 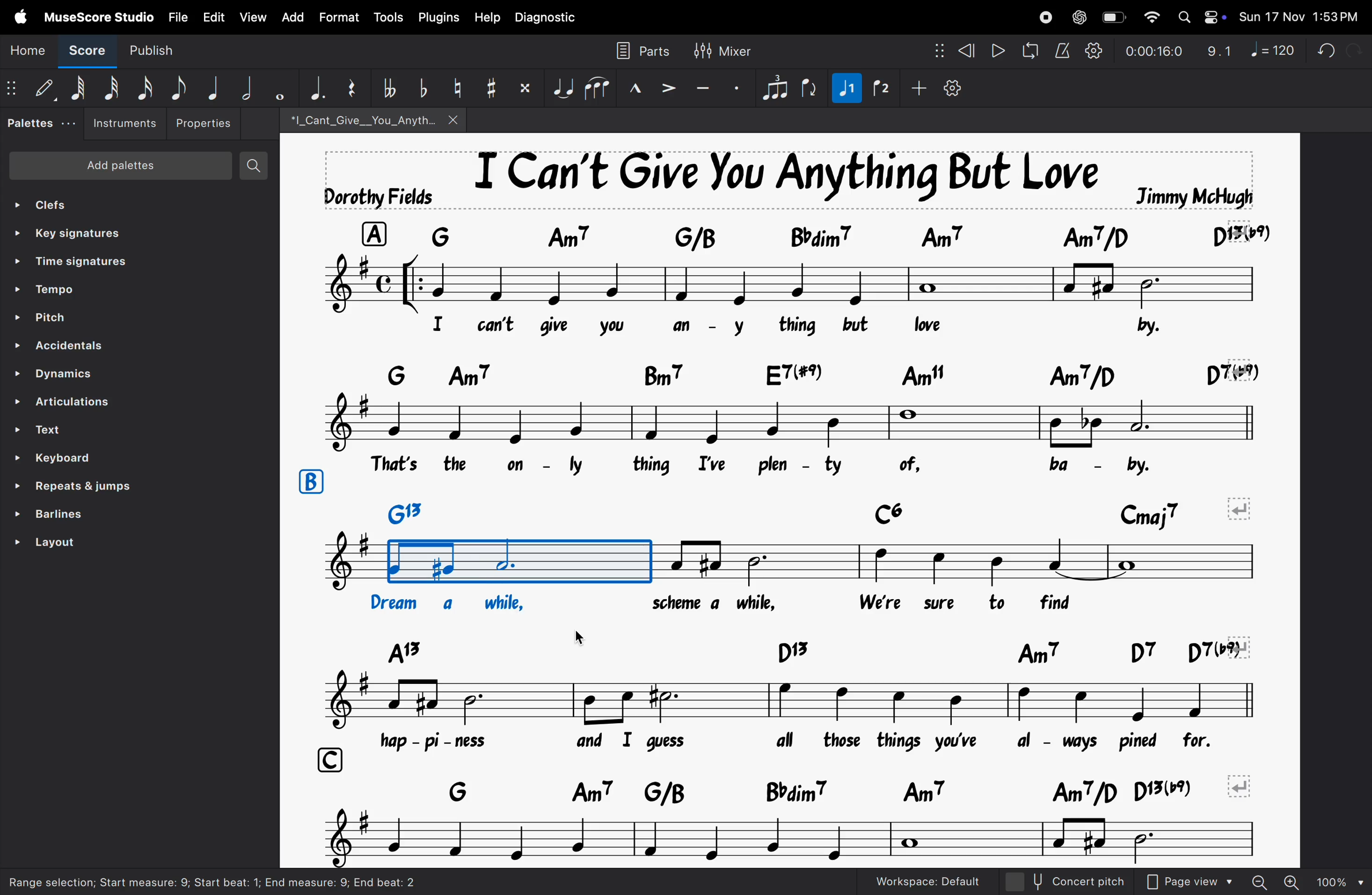 What do you see at coordinates (807, 235) in the screenshot?
I see `keyboard asiggned notes` at bounding box center [807, 235].